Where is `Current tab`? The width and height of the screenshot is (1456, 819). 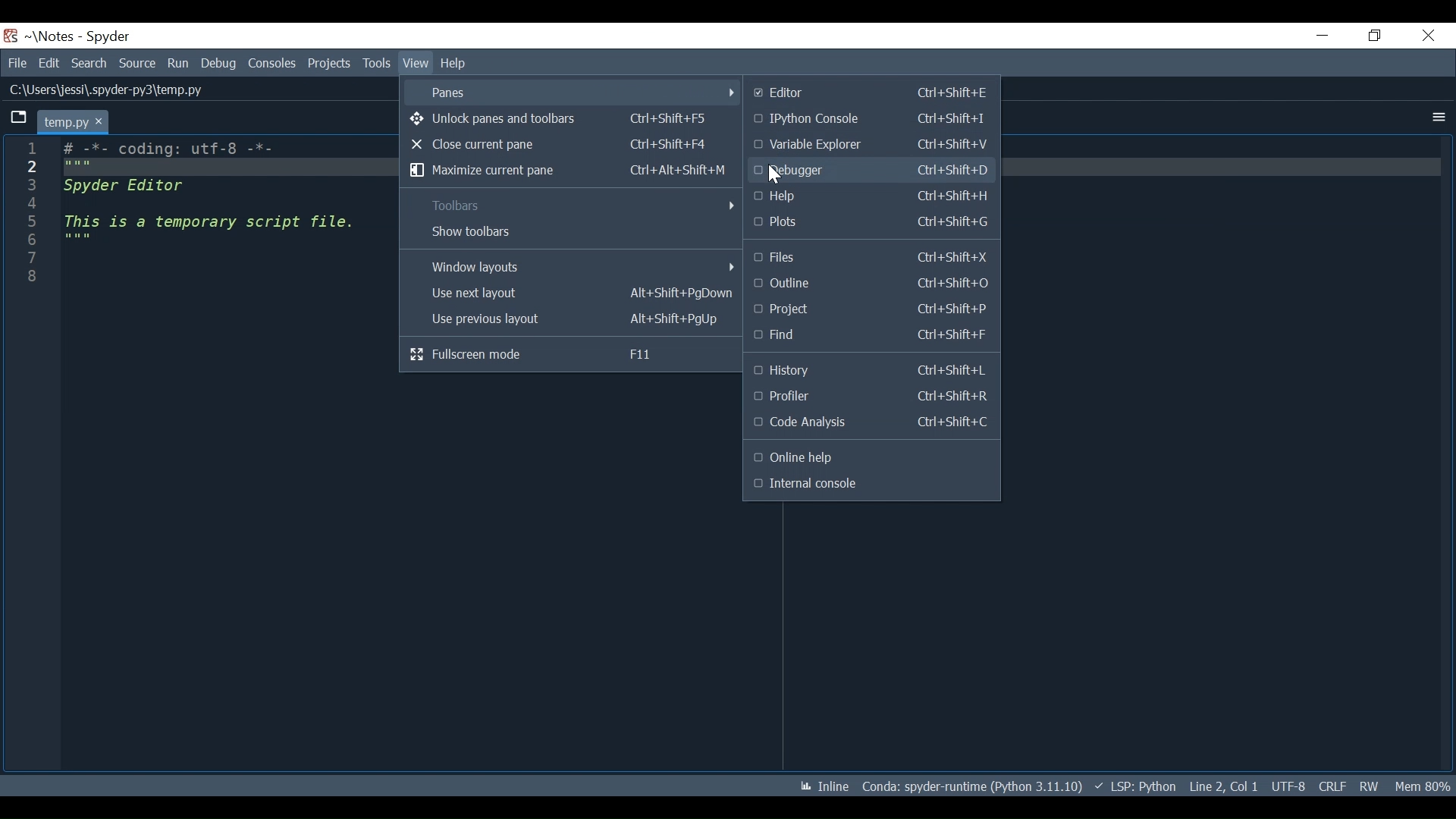
Current tab is located at coordinates (72, 121).